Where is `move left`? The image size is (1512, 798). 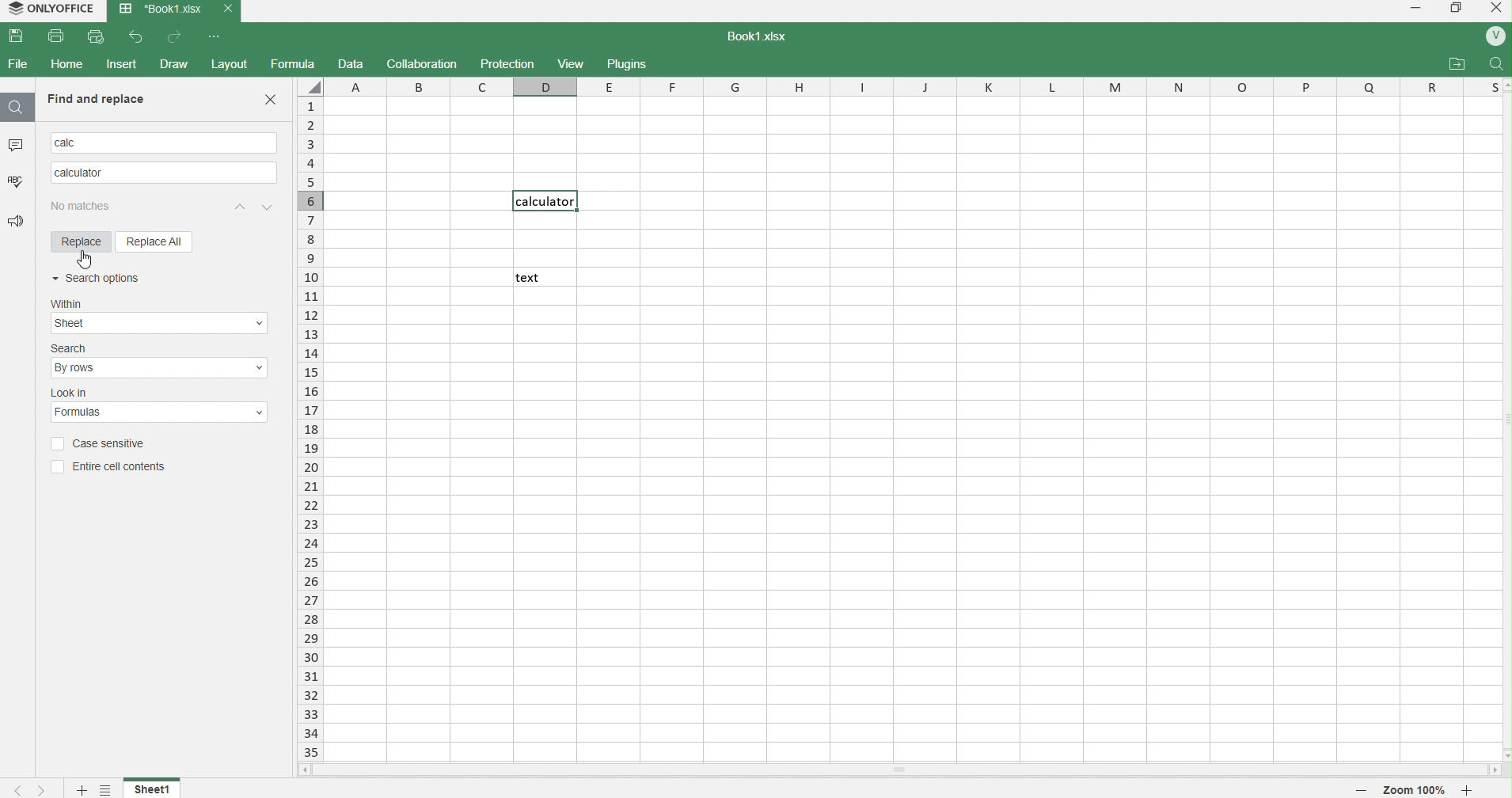 move left is located at coordinates (304, 769).